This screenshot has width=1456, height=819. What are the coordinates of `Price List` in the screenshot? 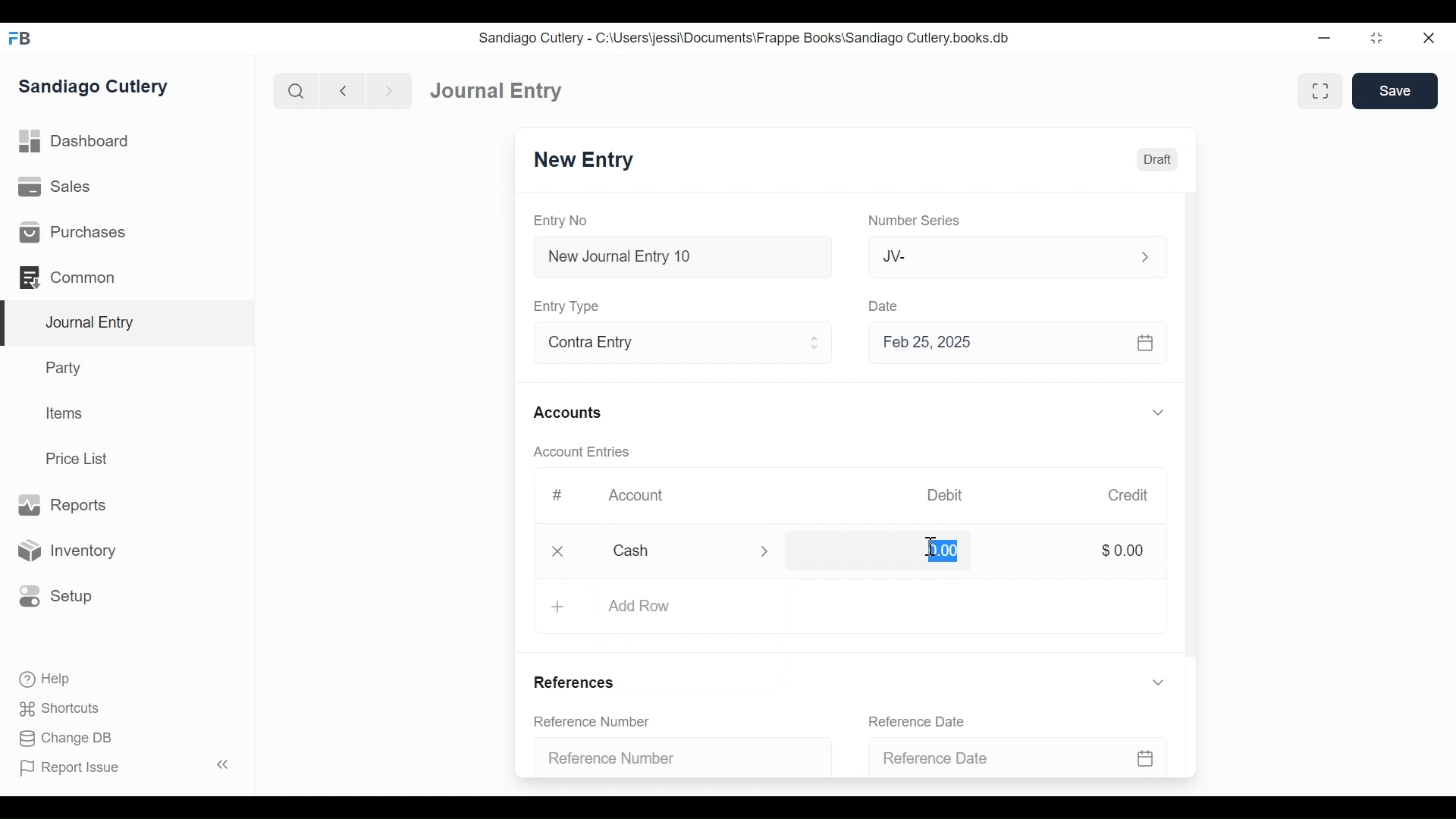 It's located at (80, 458).